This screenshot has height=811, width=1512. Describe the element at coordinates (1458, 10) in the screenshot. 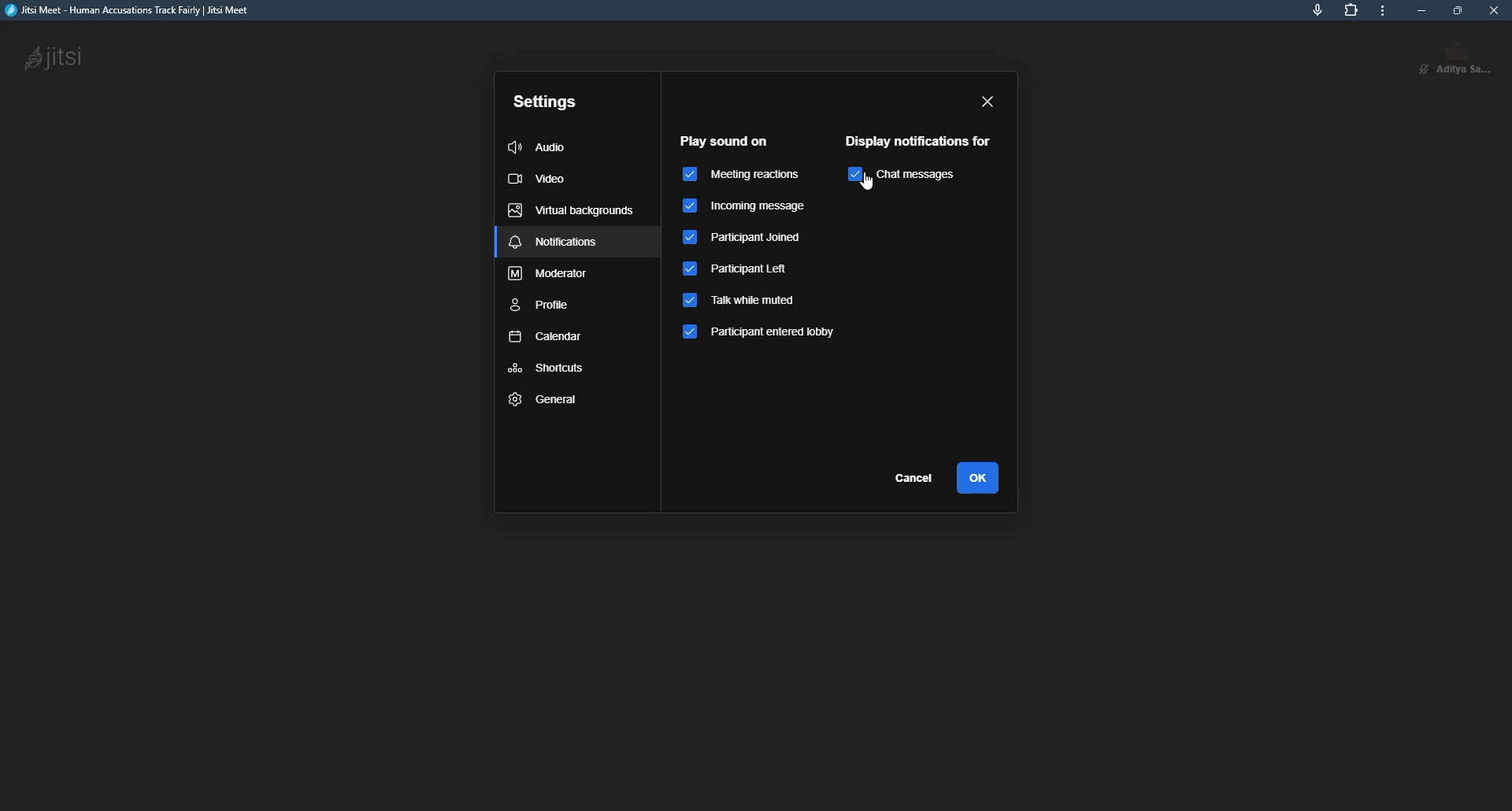

I see `maximize` at that location.